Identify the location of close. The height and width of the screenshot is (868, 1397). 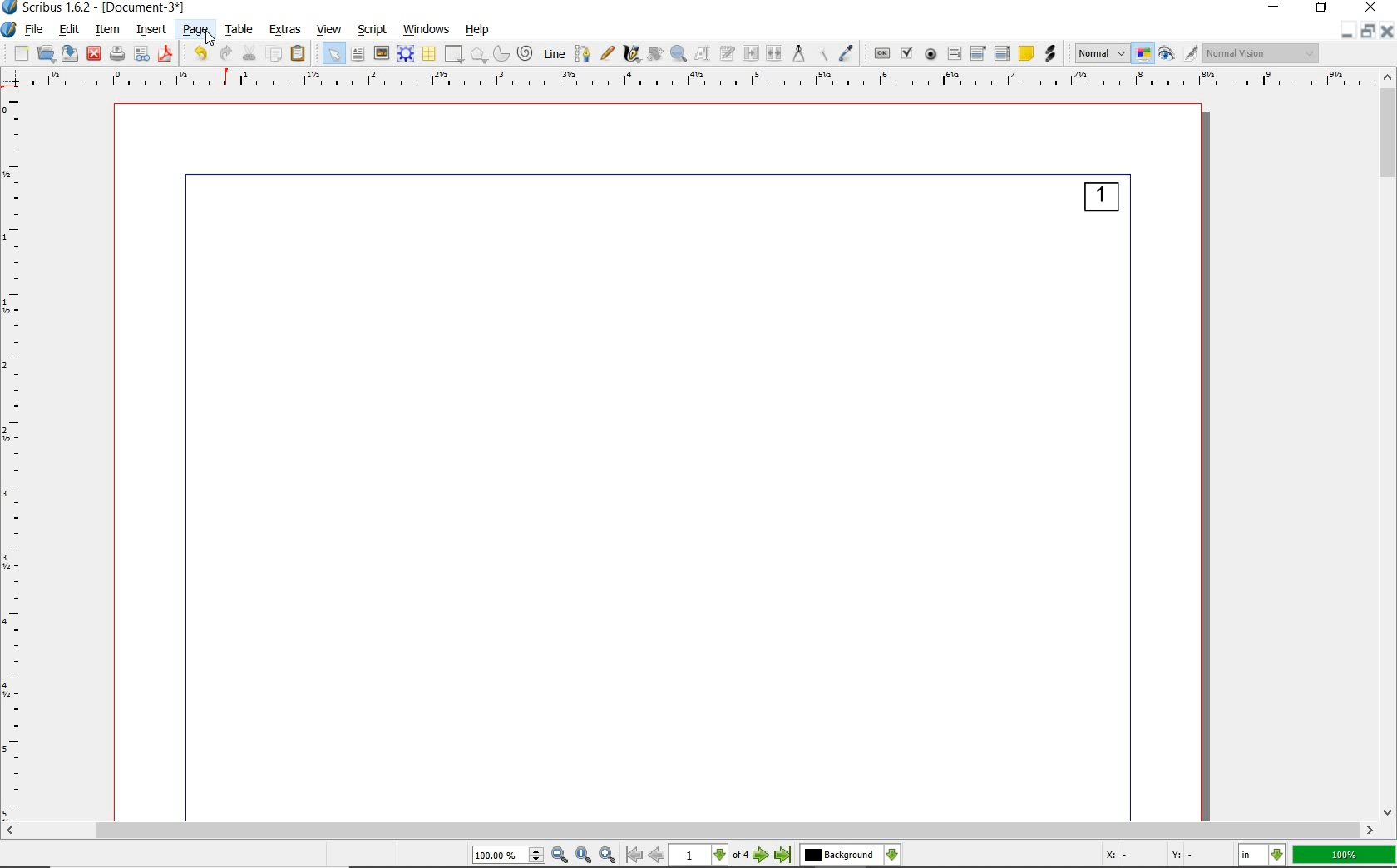
(1370, 8).